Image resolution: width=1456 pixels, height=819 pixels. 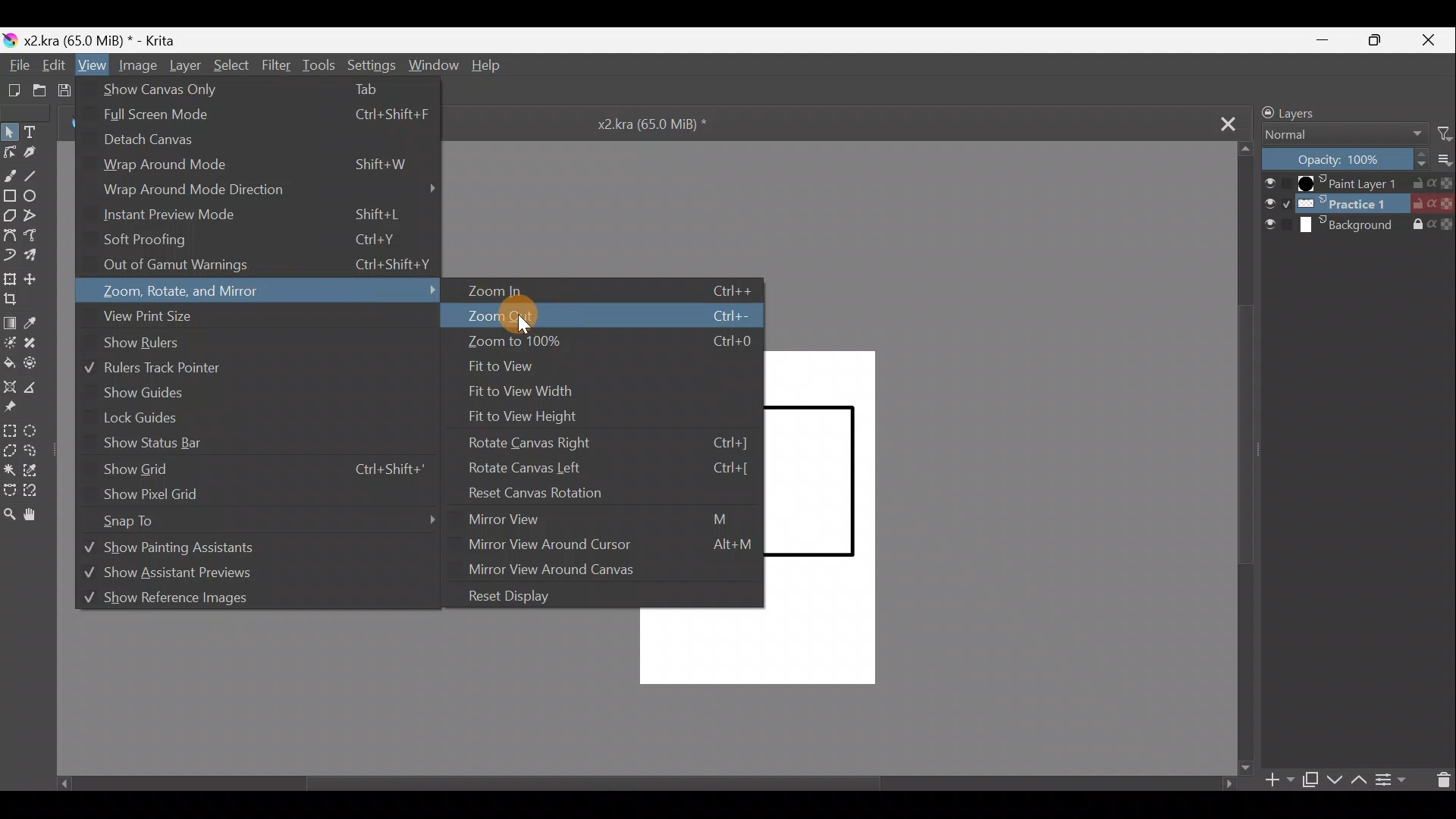 I want to click on File, so click(x=17, y=65).